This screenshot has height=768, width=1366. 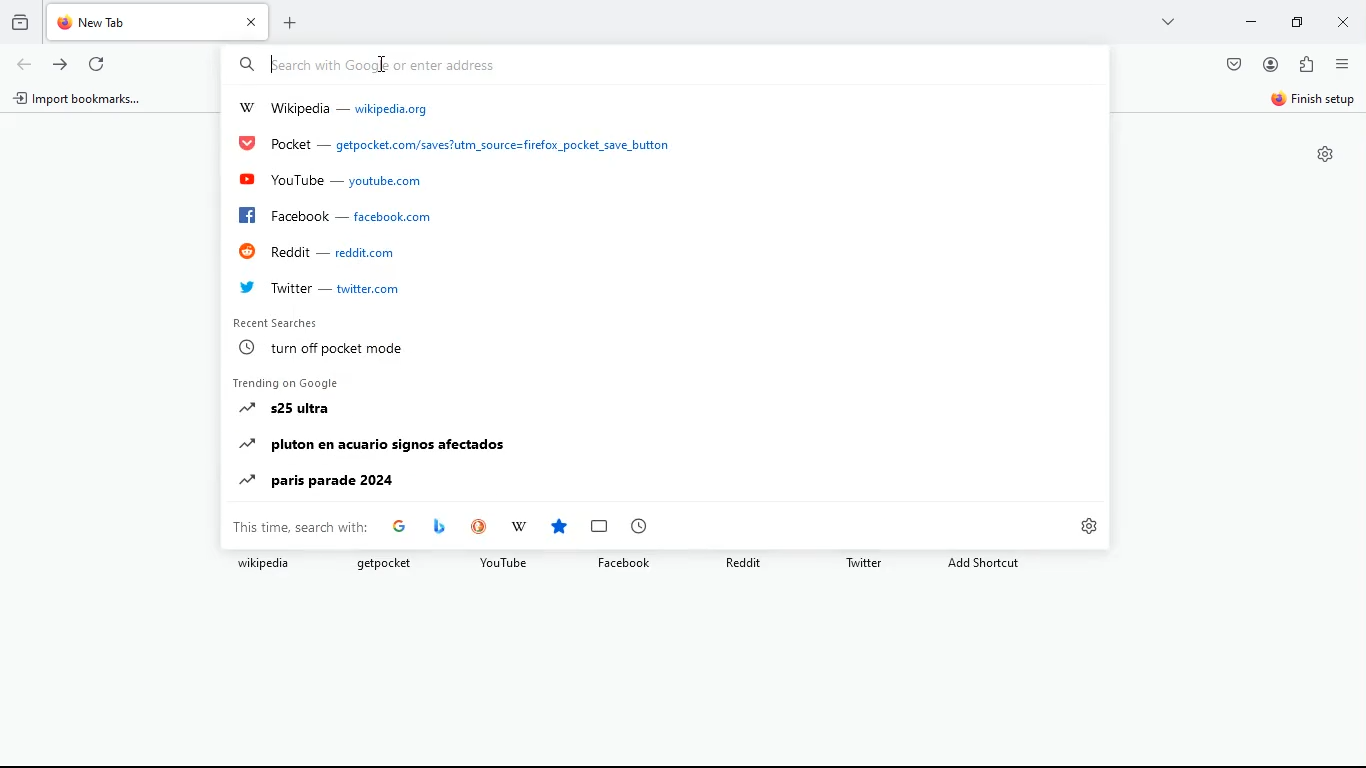 What do you see at coordinates (282, 407) in the screenshot?
I see `»" 525 ultra` at bounding box center [282, 407].